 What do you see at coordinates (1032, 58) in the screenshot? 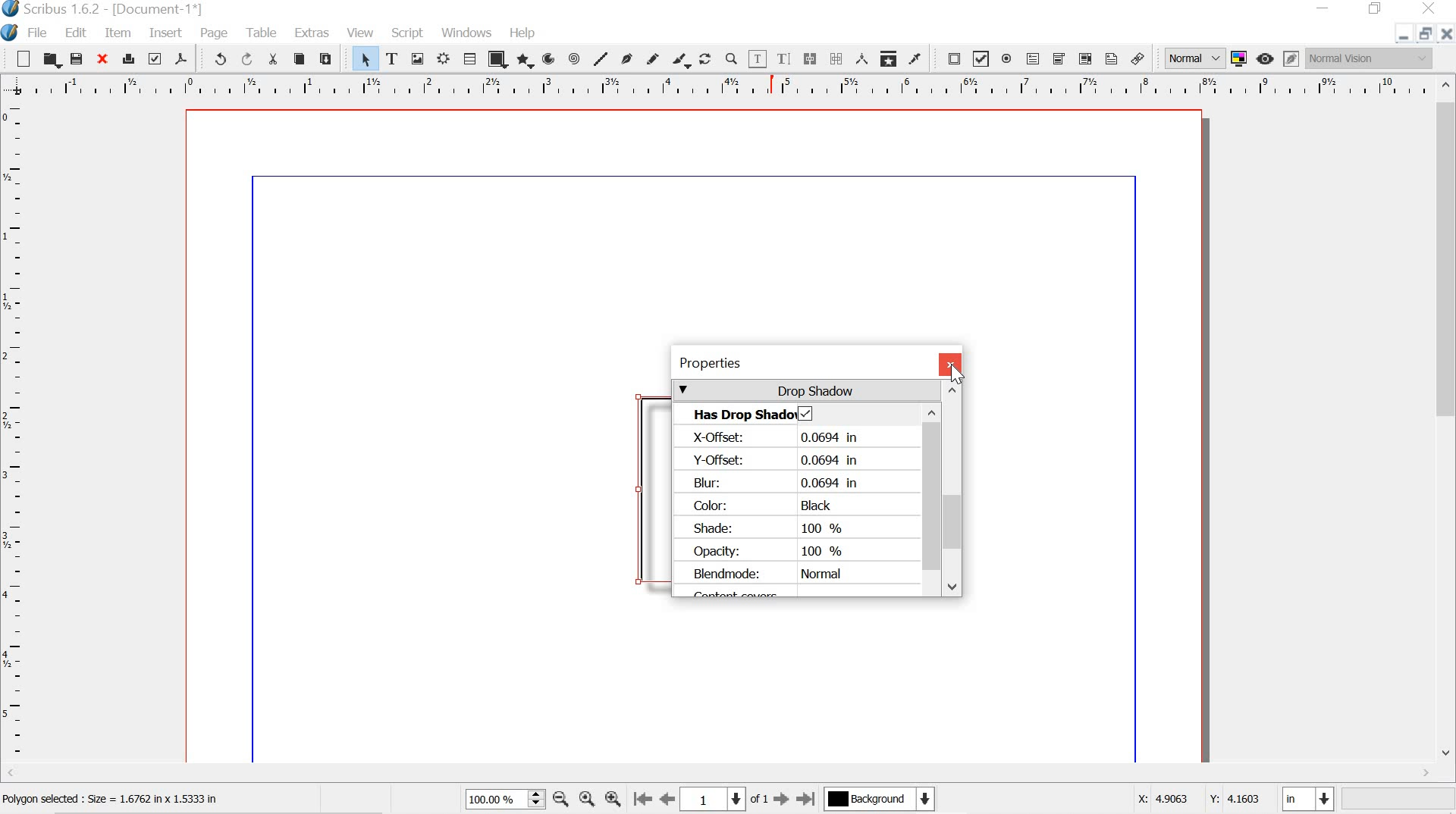
I see `pdf text field` at bounding box center [1032, 58].